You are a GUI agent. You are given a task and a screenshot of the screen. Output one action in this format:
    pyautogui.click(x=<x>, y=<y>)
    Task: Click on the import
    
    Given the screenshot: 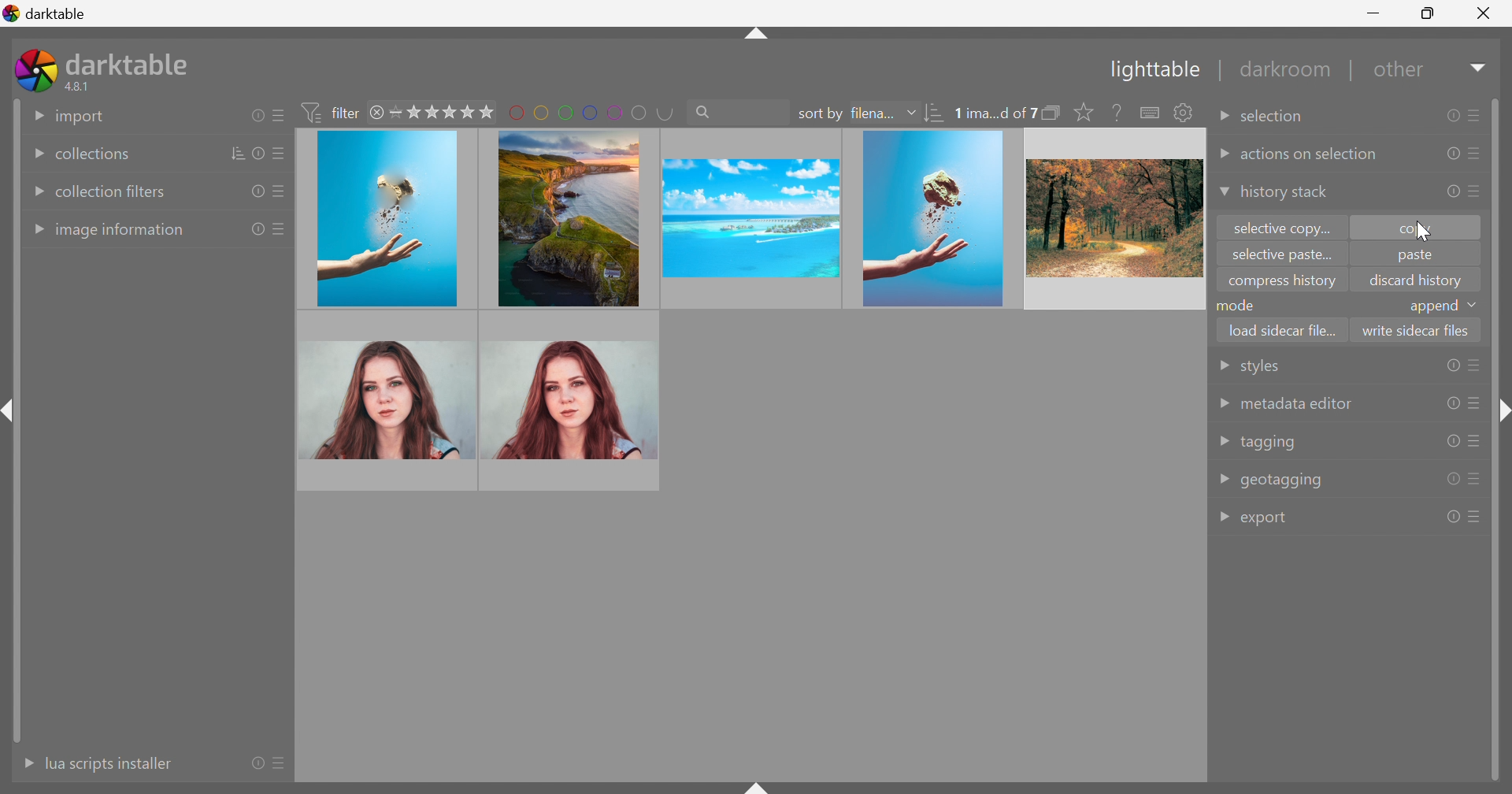 What is the action you would take?
    pyautogui.click(x=81, y=117)
    